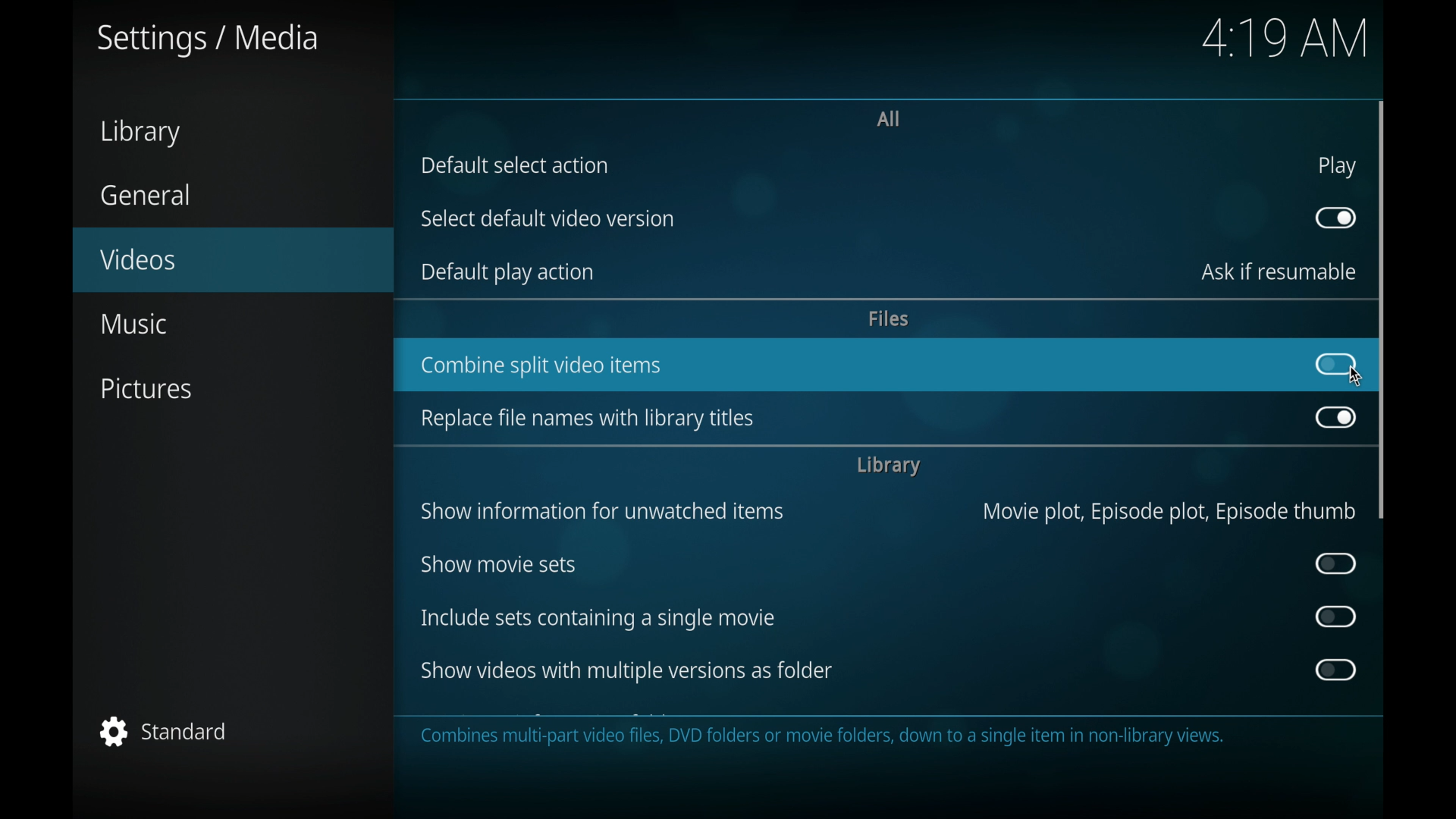 The width and height of the screenshot is (1456, 819). I want to click on standard, so click(165, 730).